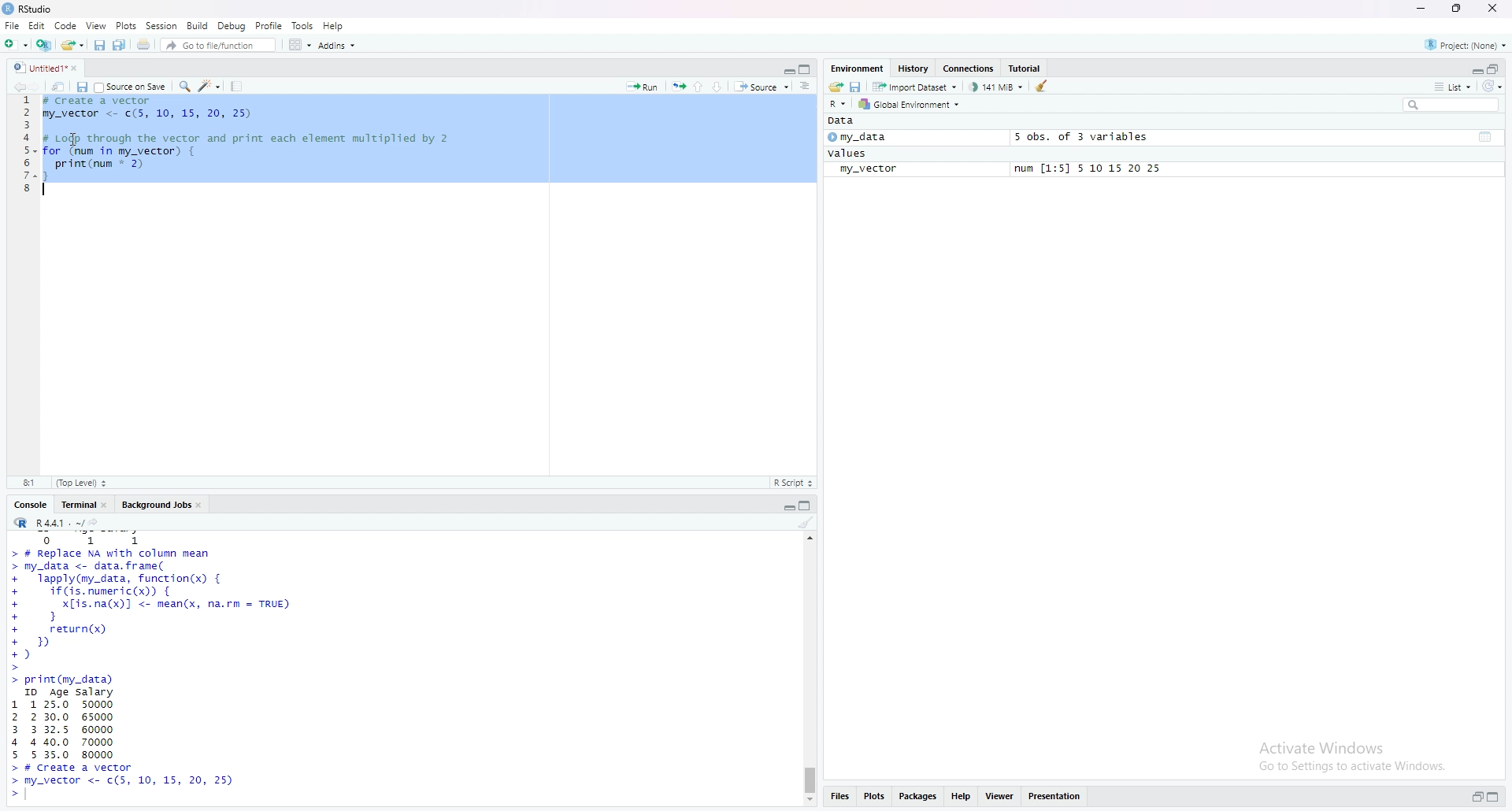 The width and height of the screenshot is (1512, 811). Describe the element at coordinates (338, 46) in the screenshot. I see `Addins` at that location.